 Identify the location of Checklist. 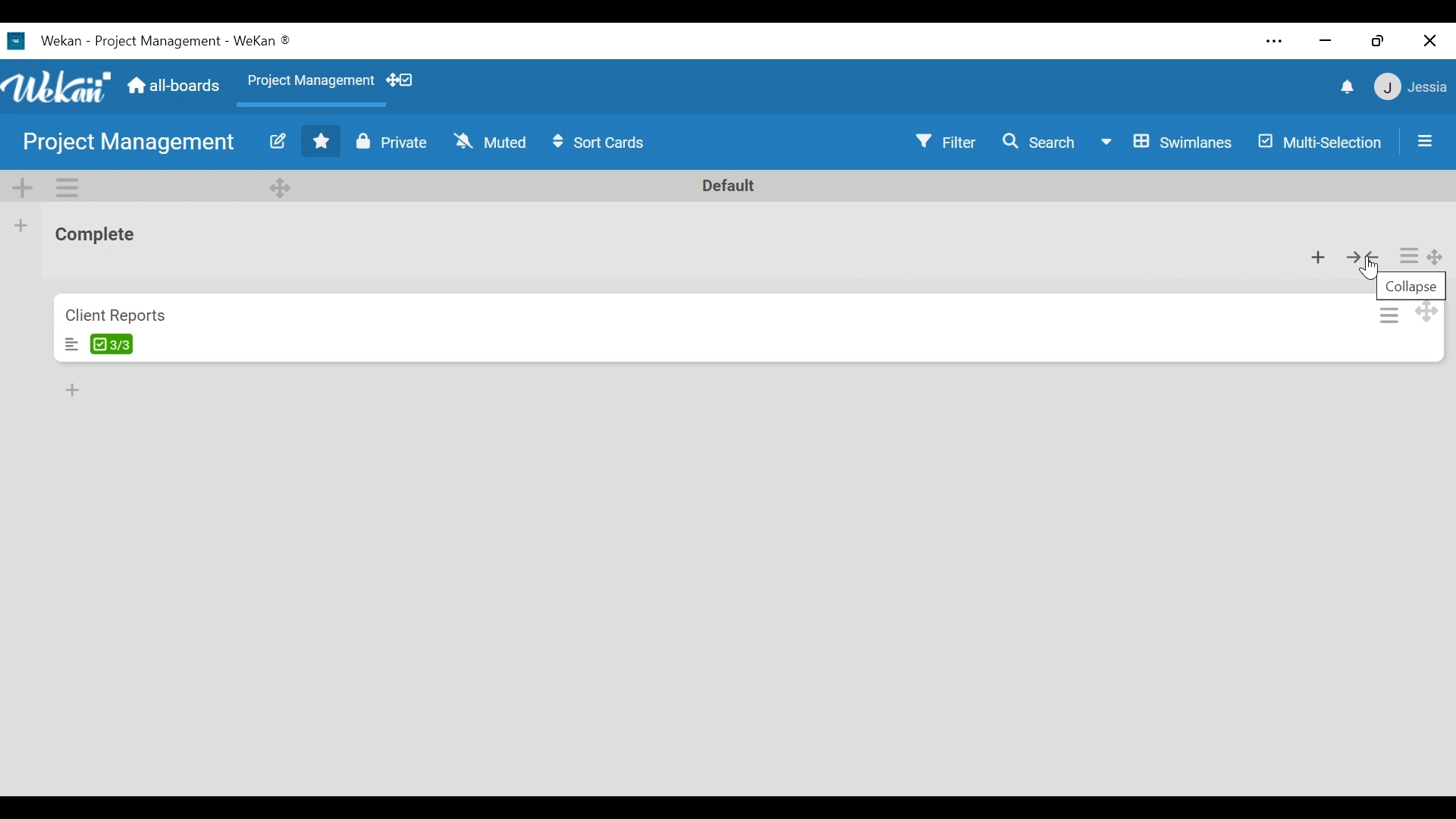
(118, 344).